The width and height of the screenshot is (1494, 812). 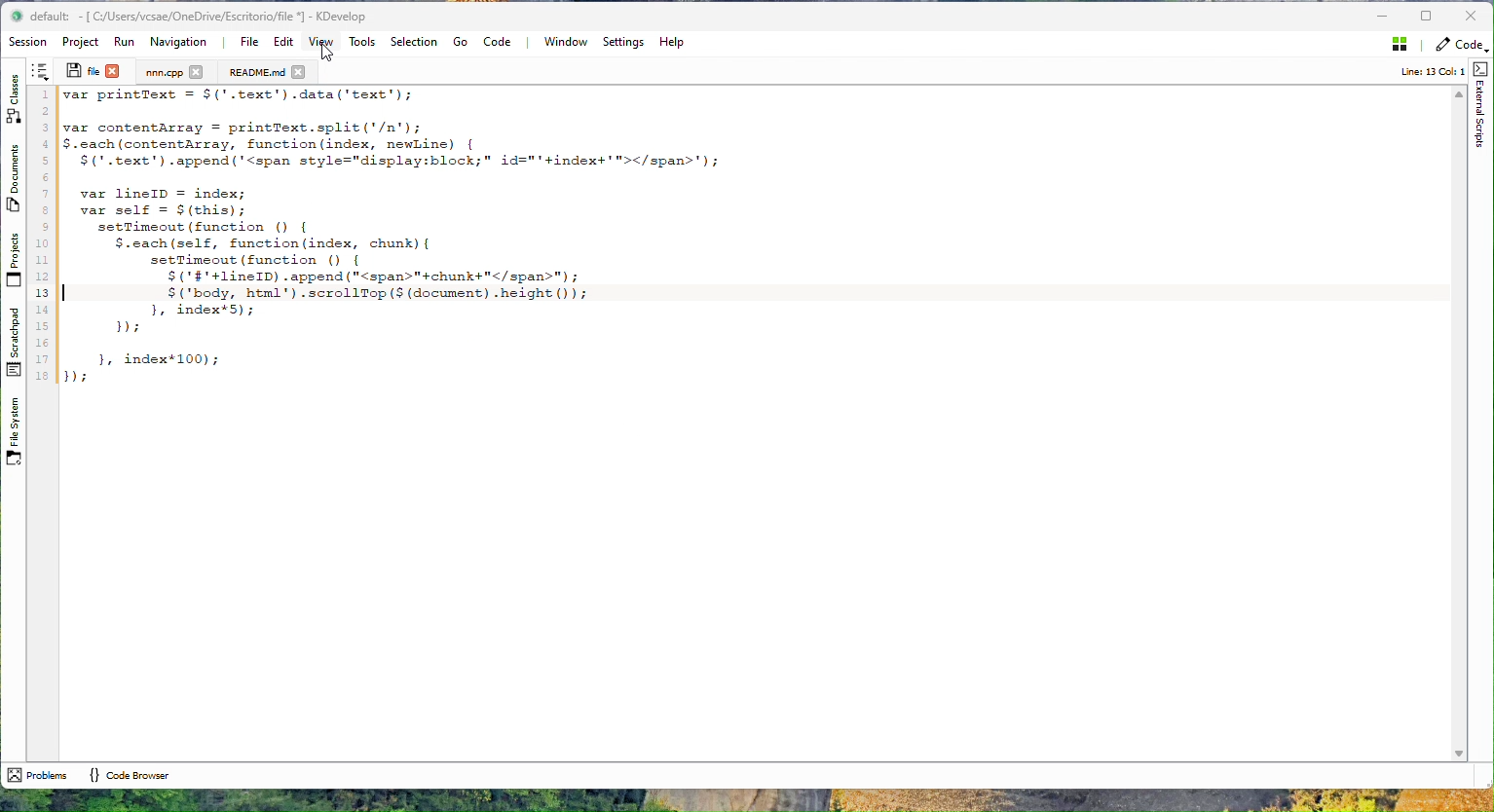 What do you see at coordinates (256, 72) in the screenshot?
I see `Document` at bounding box center [256, 72].